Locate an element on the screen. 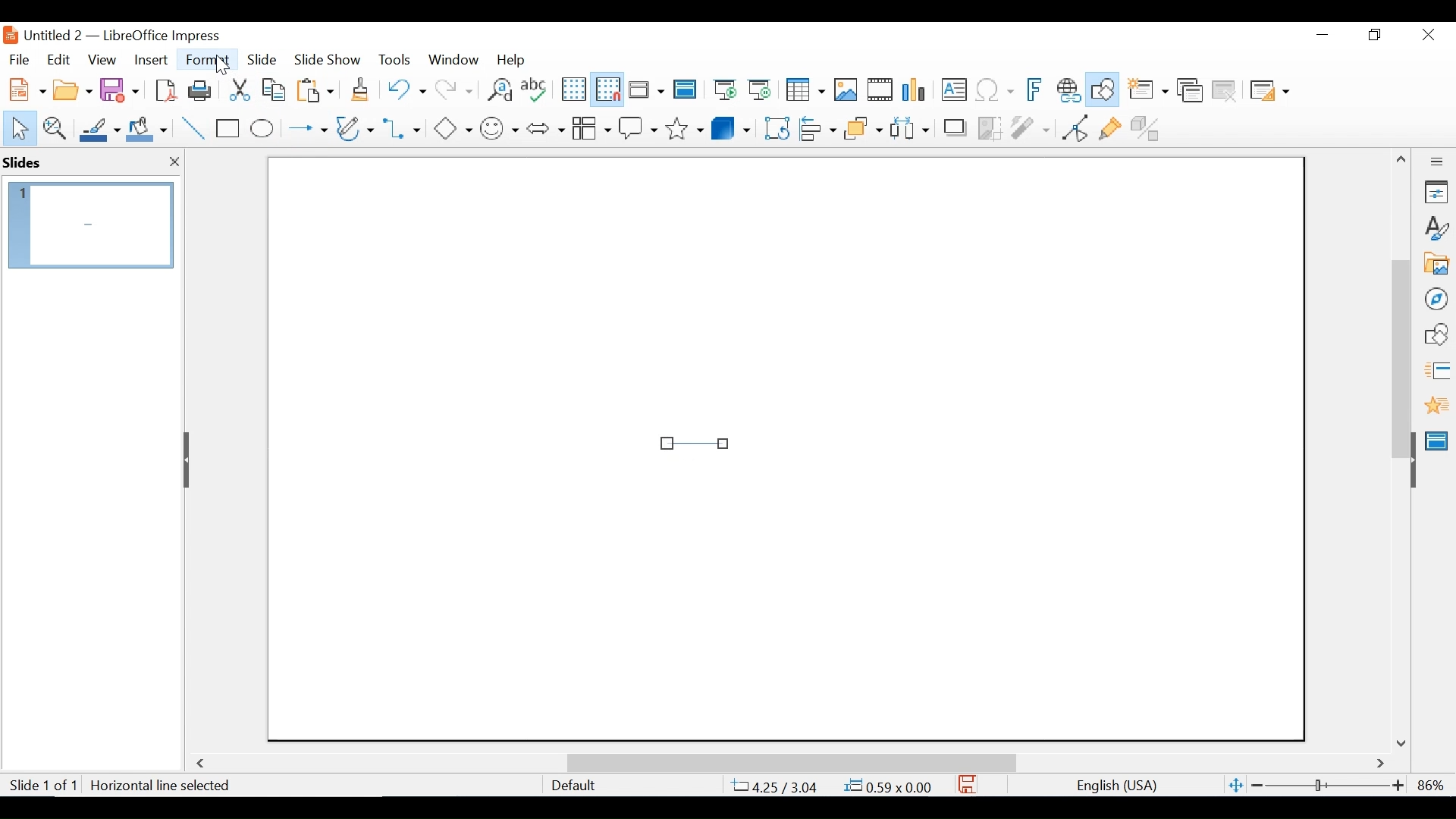 This screenshot has width=1456, height=819. View is located at coordinates (102, 59).